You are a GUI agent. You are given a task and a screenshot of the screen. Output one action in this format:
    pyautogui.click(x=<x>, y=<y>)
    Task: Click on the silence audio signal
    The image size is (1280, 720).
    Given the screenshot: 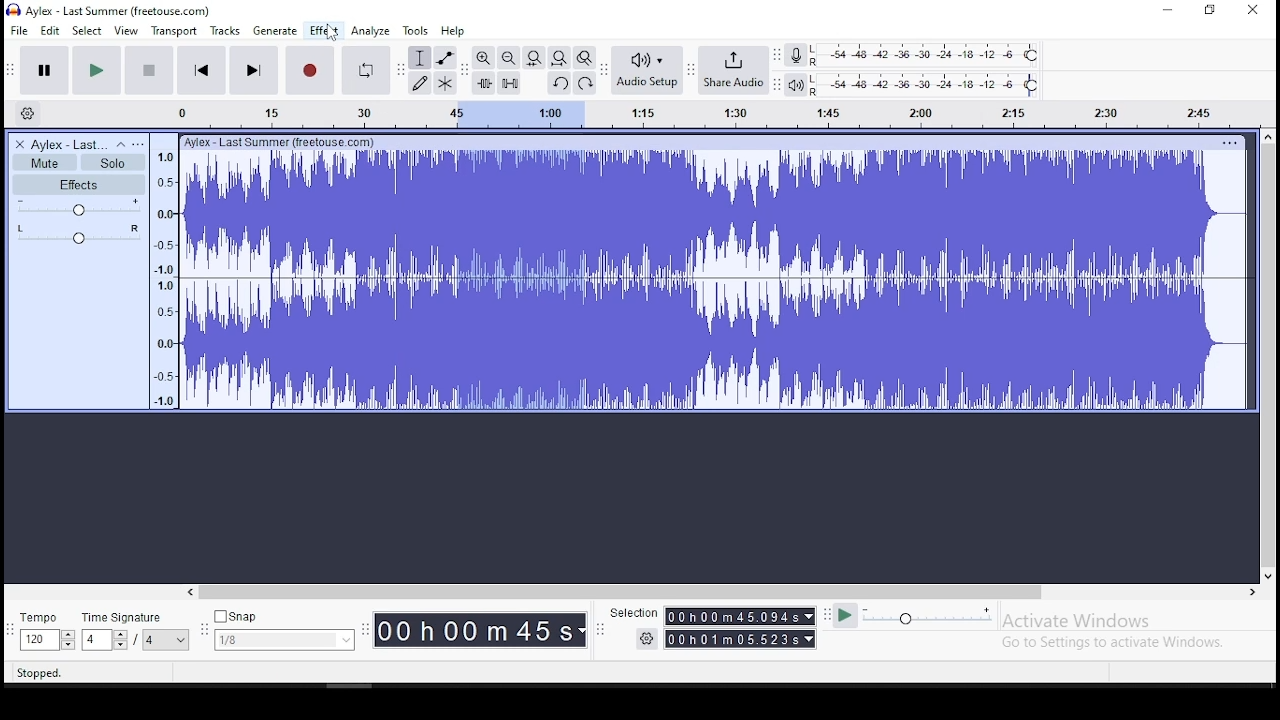 What is the action you would take?
    pyautogui.click(x=509, y=81)
    